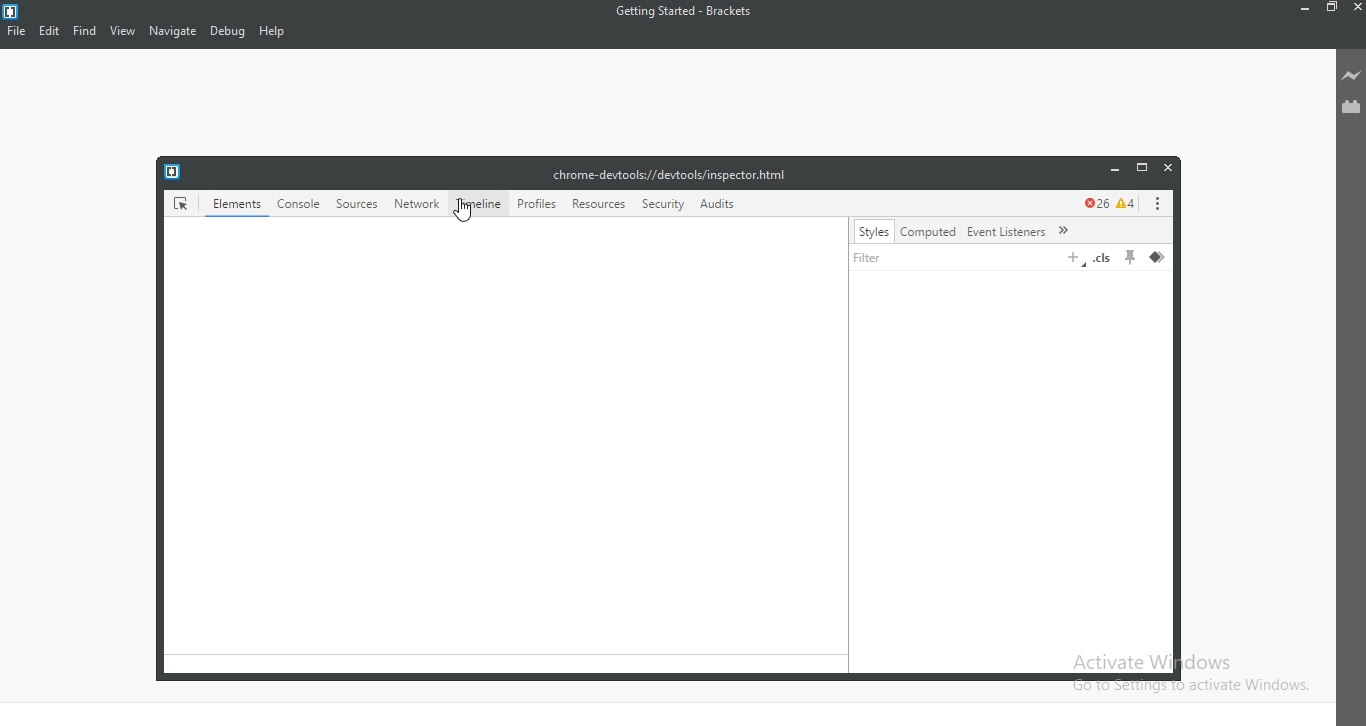  What do you see at coordinates (1158, 259) in the screenshot?
I see `layer` at bounding box center [1158, 259].